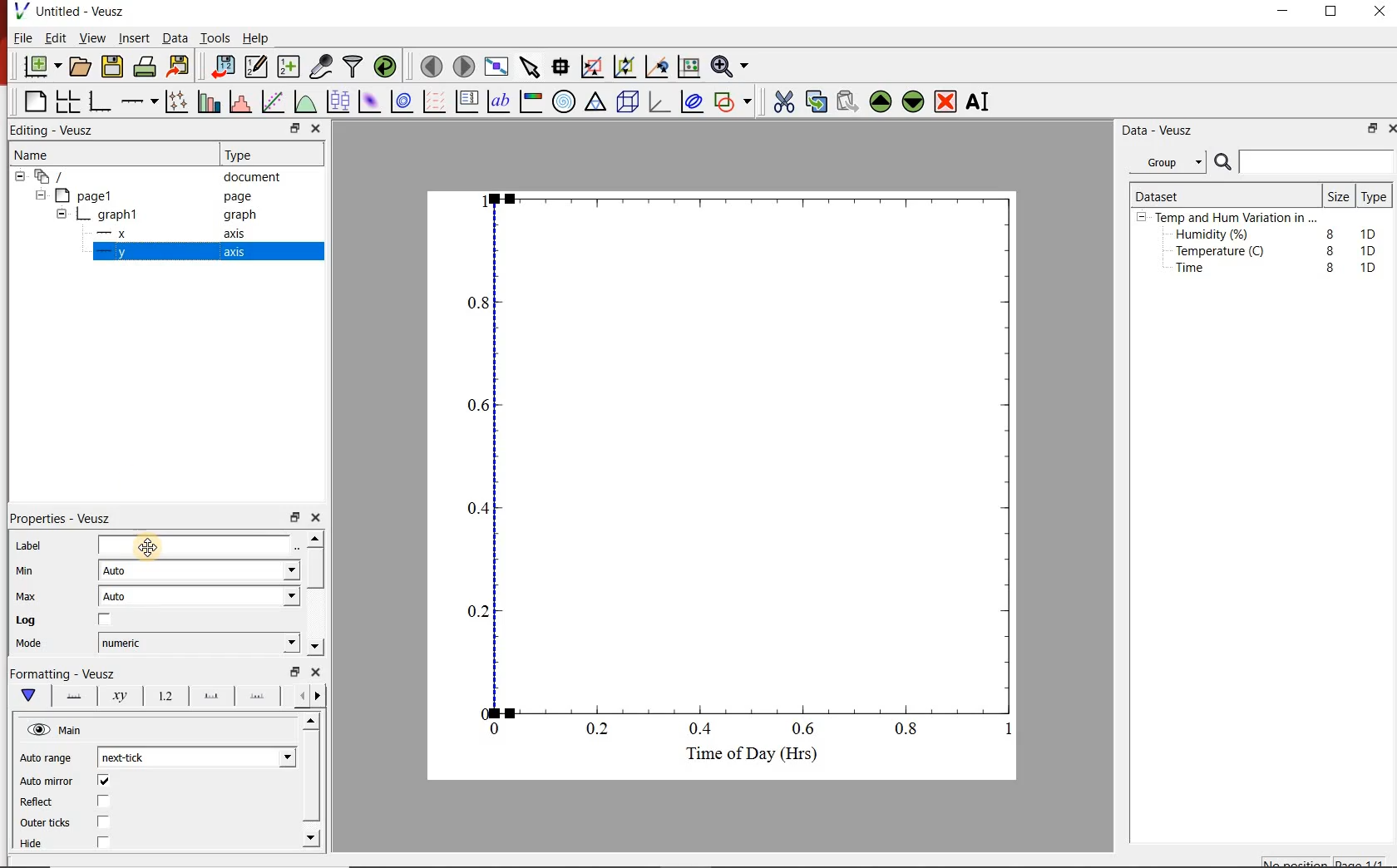 Image resolution: width=1397 pixels, height=868 pixels. I want to click on 0, so click(479, 711).